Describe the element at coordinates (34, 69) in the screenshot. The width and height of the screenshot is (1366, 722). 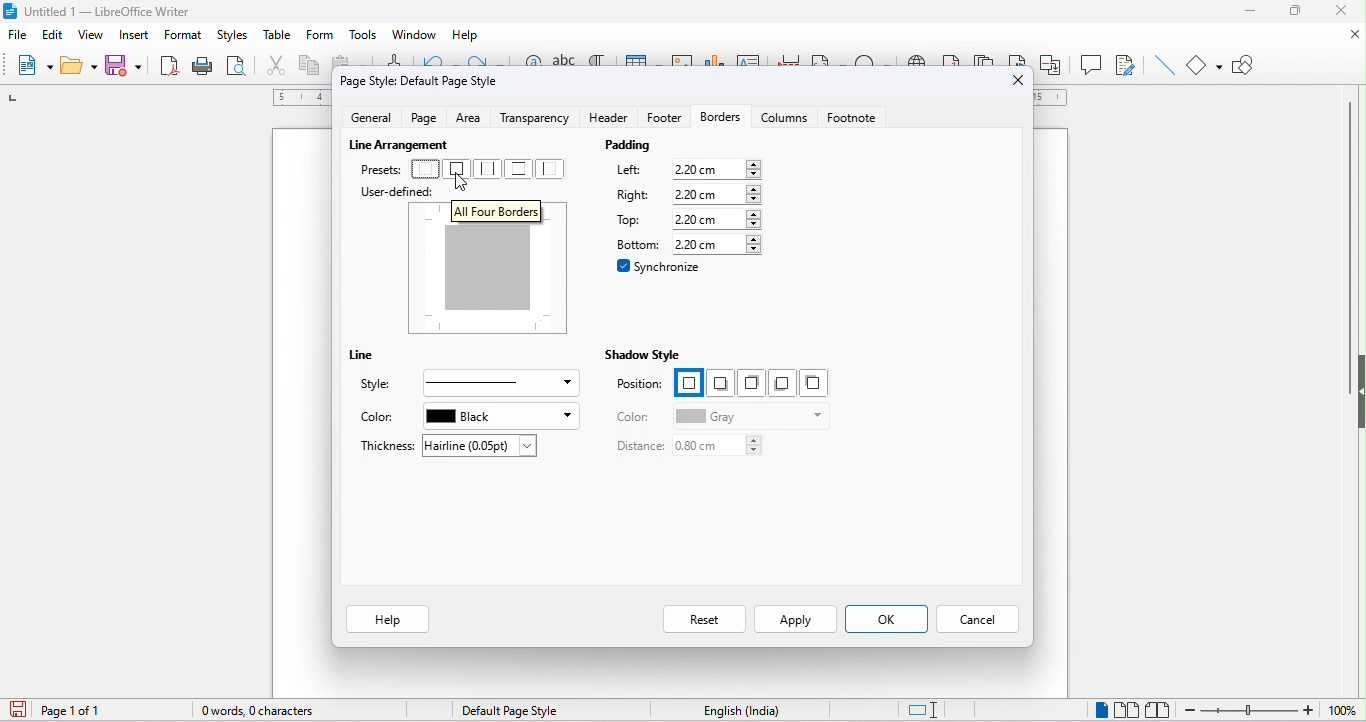
I see `new` at that location.